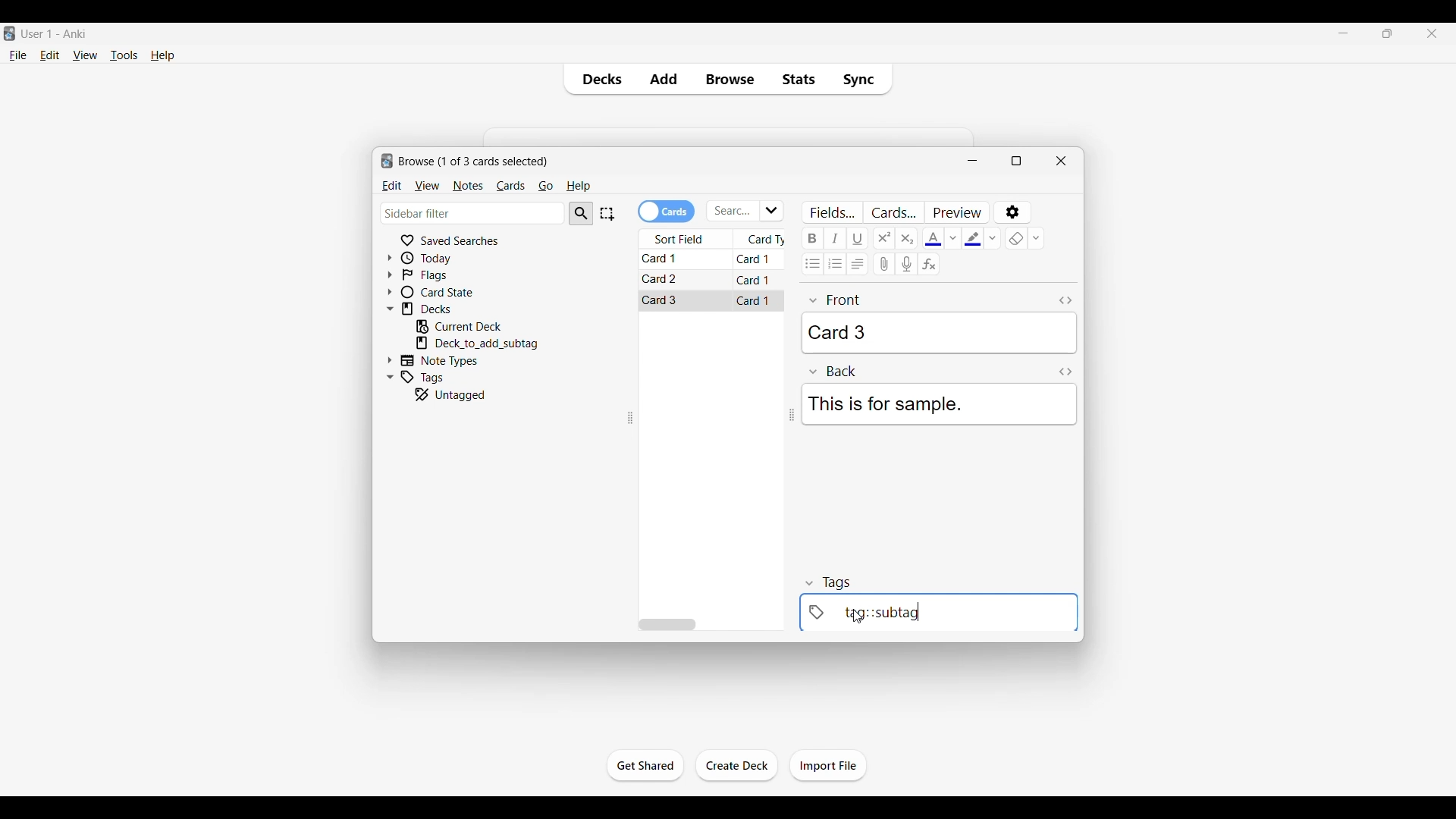  Describe the element at coordinates (124, 55) in the screenshot. I see `Tools menu` at that location.